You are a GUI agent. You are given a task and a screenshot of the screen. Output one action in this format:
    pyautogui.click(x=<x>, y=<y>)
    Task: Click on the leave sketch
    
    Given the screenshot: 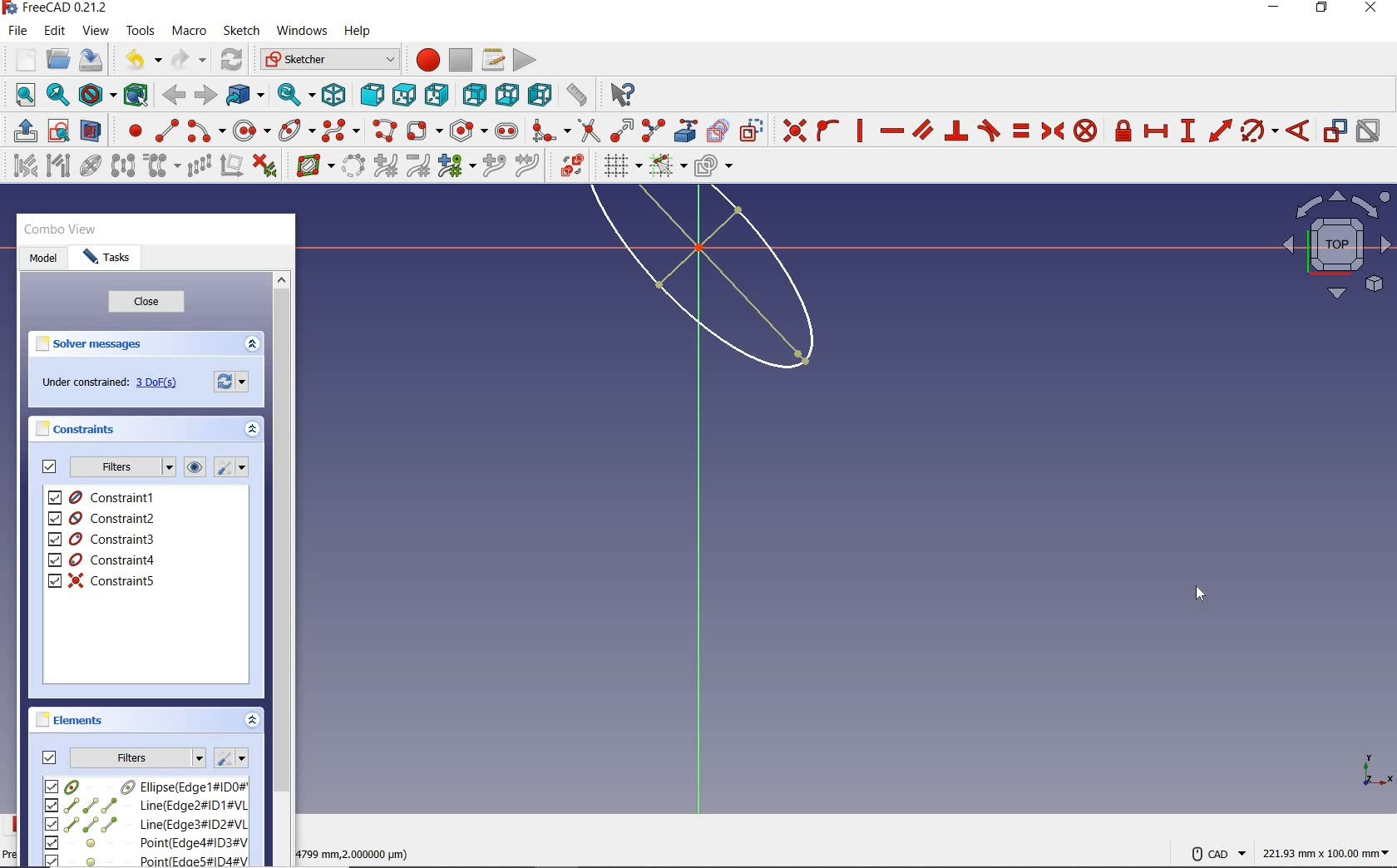 What is the action you would take?
    pyautogui.click(x=22, y=131)
    